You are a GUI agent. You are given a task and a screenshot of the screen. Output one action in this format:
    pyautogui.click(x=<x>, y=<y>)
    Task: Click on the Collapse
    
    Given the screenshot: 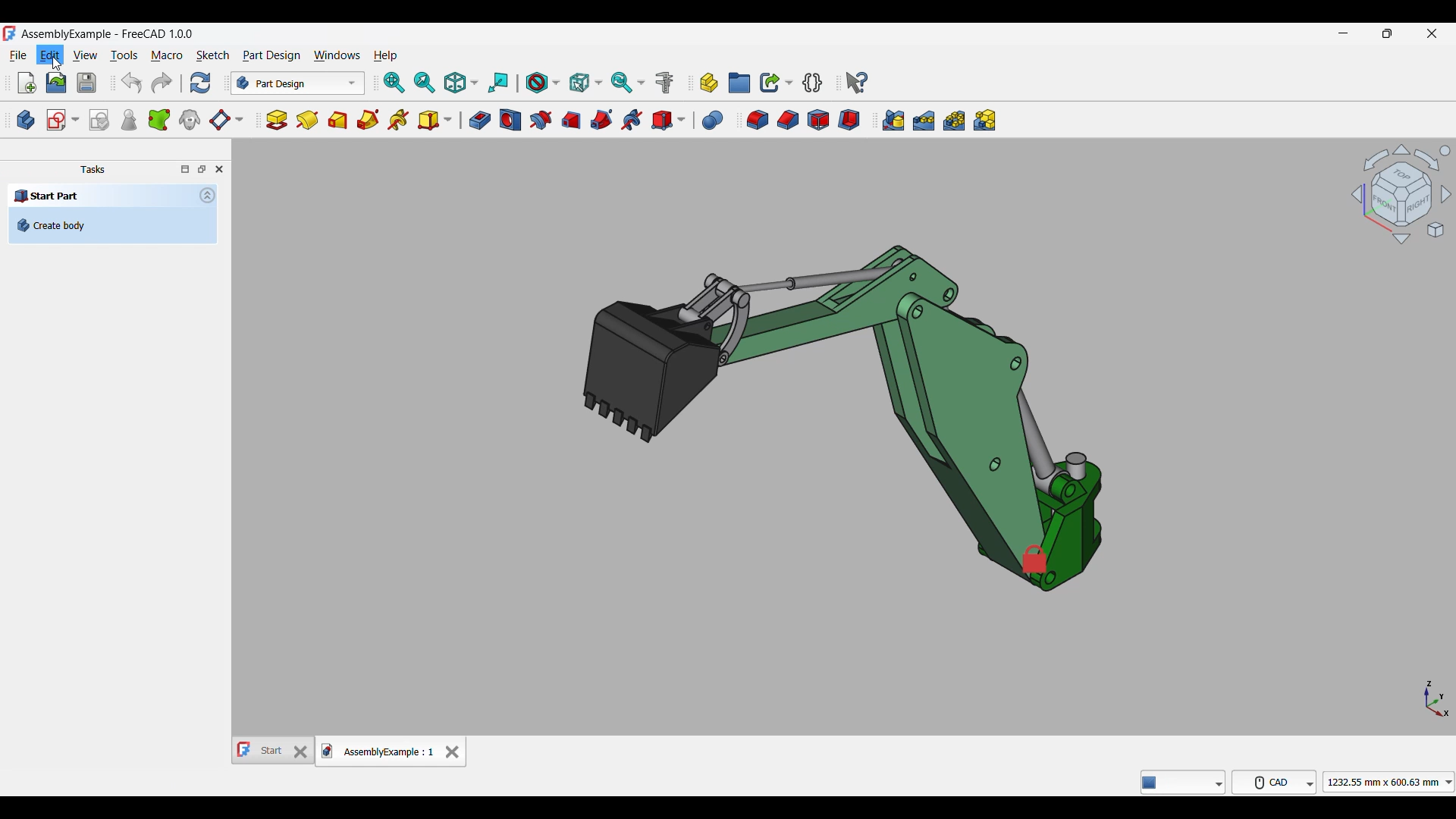 What is the action you would take?
    pyautogui.click(x=208, y=195)
    